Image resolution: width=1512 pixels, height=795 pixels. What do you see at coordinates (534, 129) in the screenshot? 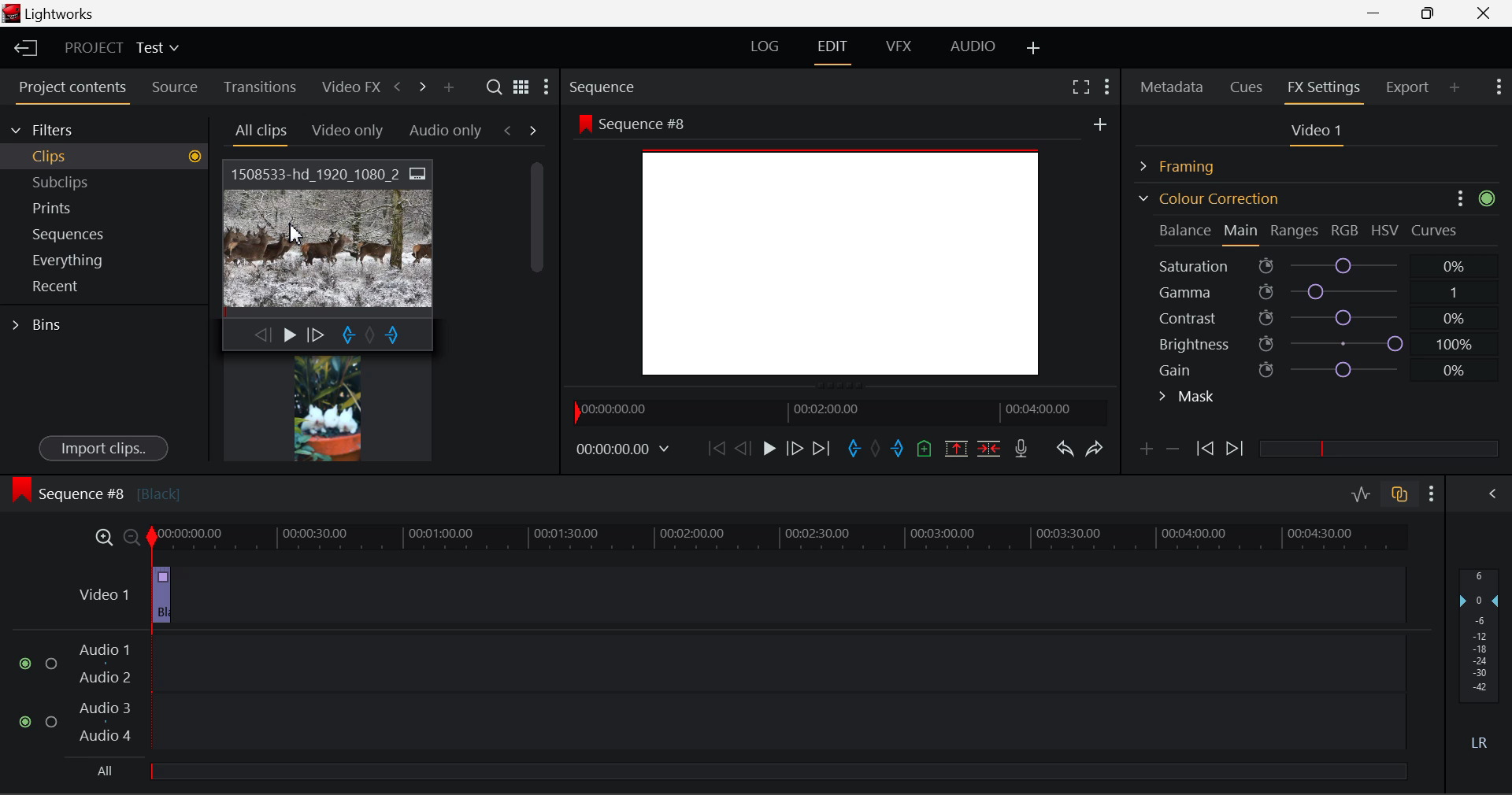
I see `Next Tab` at bounding box center [534, 129].